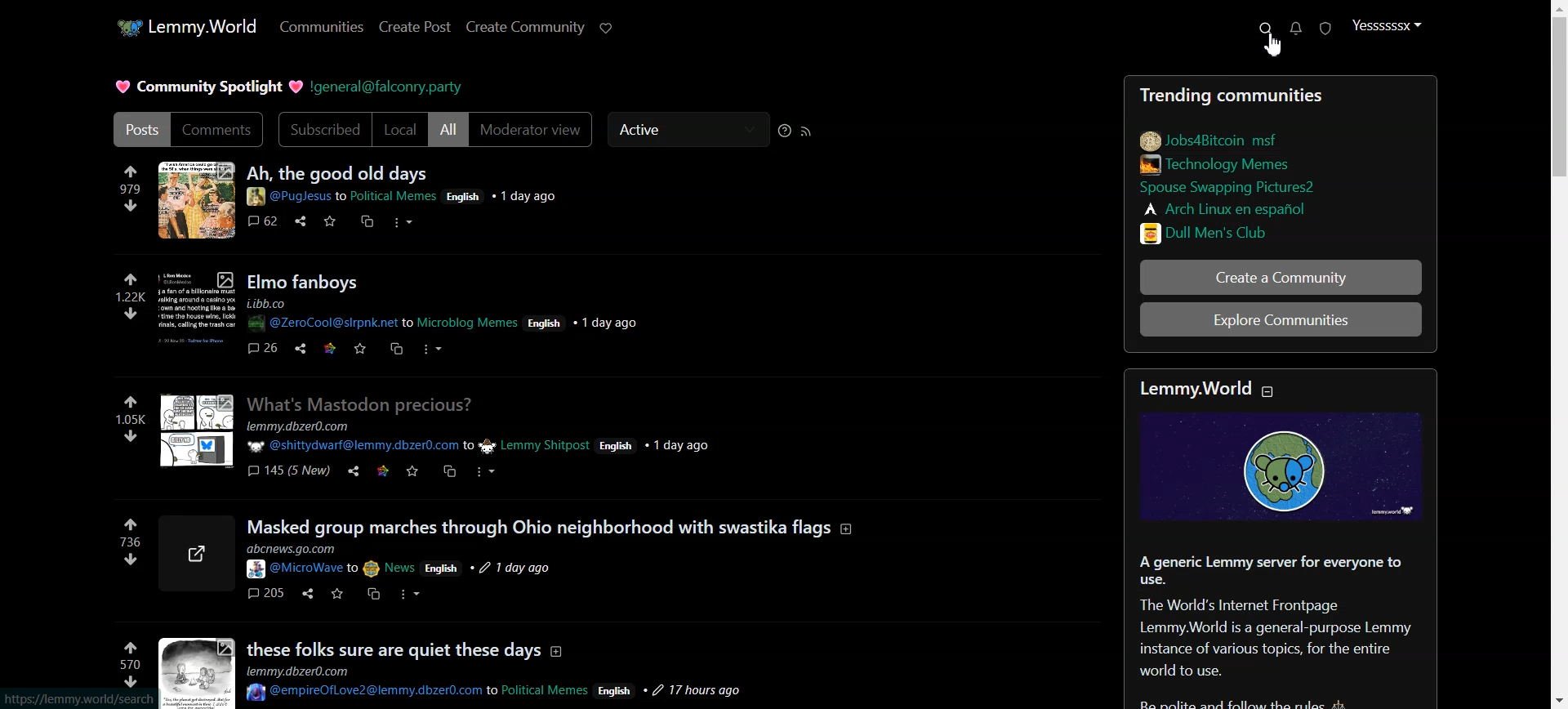  Describe the element at coordinates (1266, 29) in the screenshot. I see `Search` at that location.